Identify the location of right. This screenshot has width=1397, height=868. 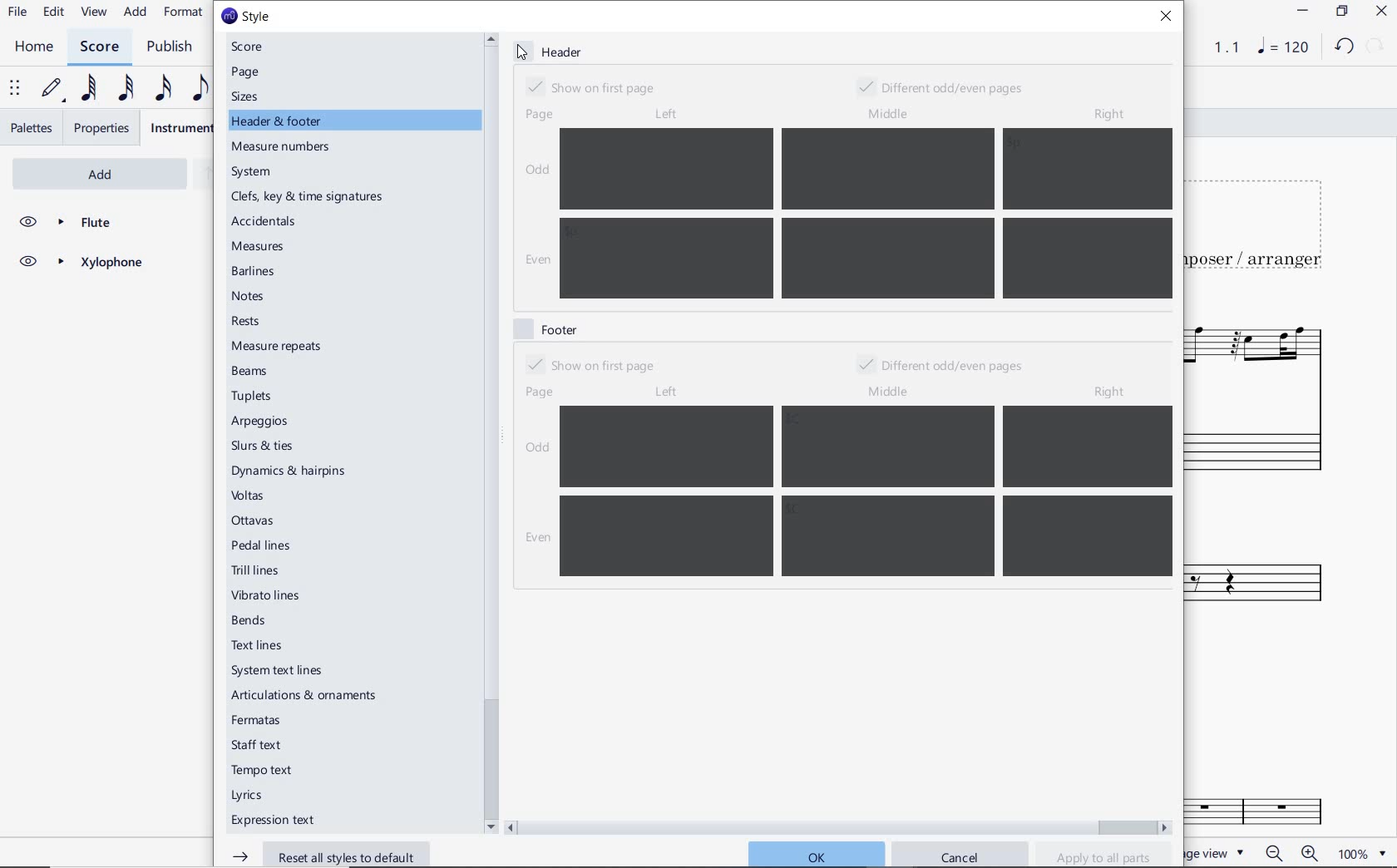
(1108, 116).